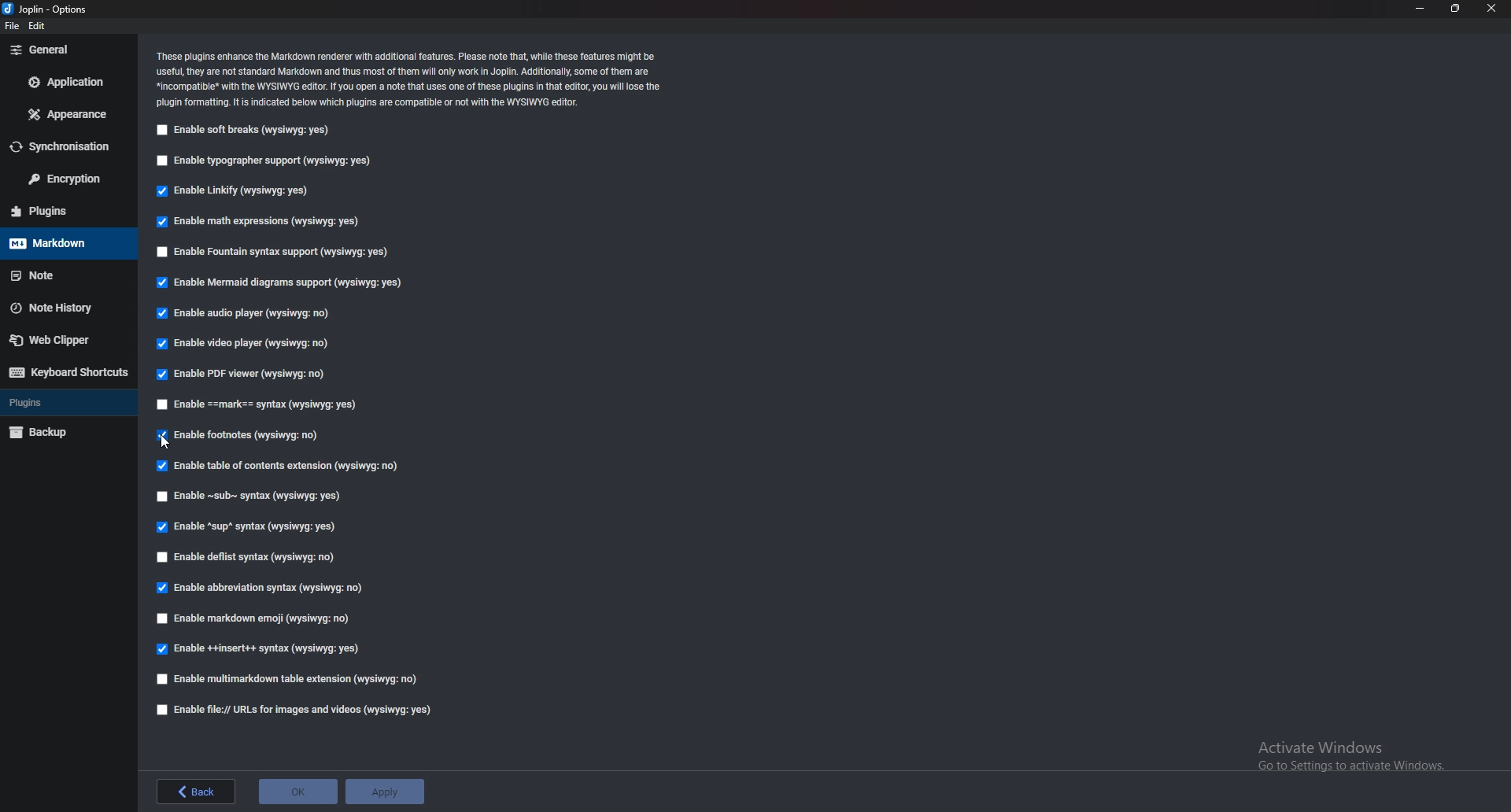 The image size is (1511, 812). I want to click on Enable sub syntax, so click(250, 496).